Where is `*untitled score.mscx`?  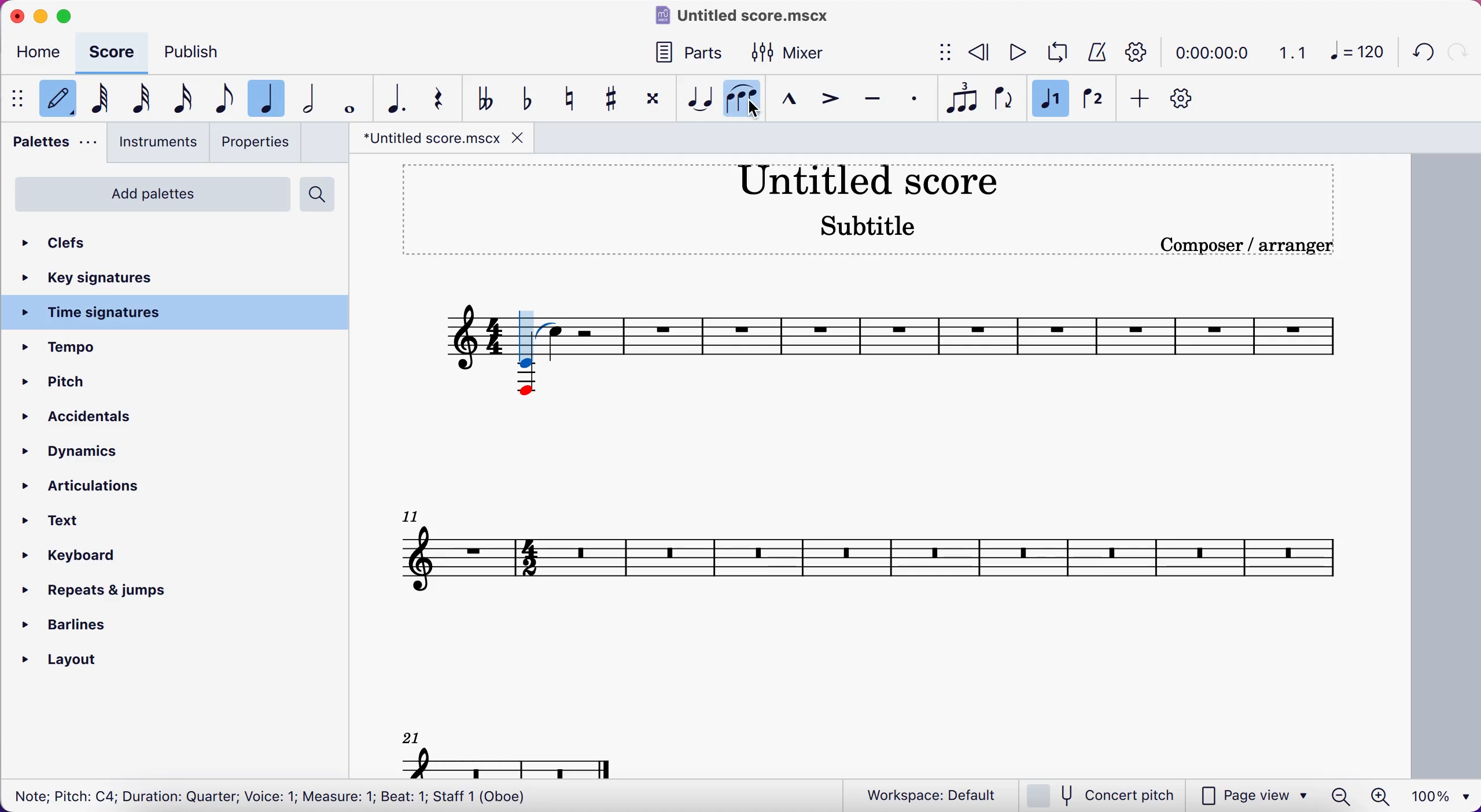 *untitled score.mscx is located at coordinates (445, 139).